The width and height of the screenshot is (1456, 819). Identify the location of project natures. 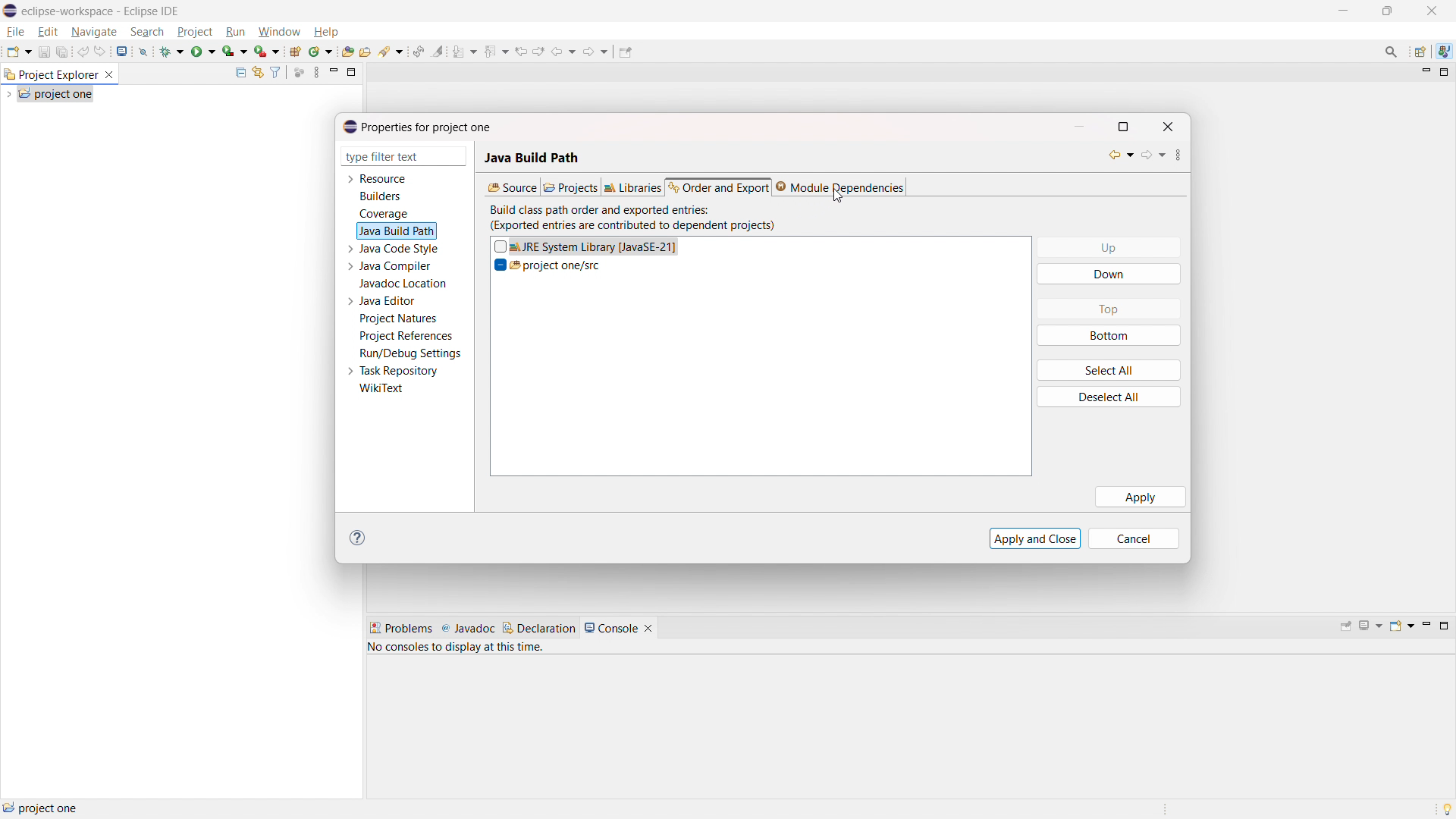
(399, 318).